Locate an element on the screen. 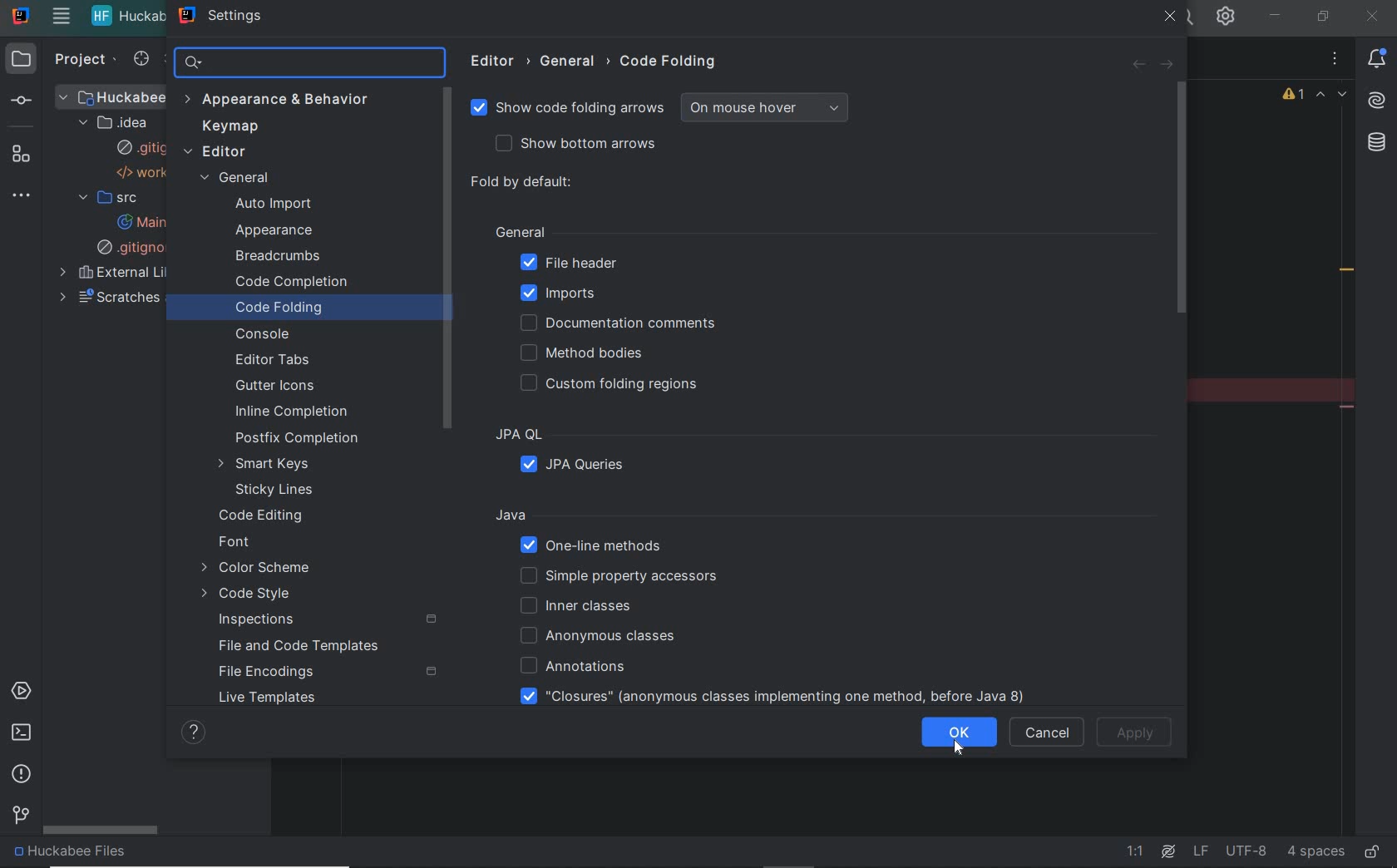  general is located at coordinates (578, 62).